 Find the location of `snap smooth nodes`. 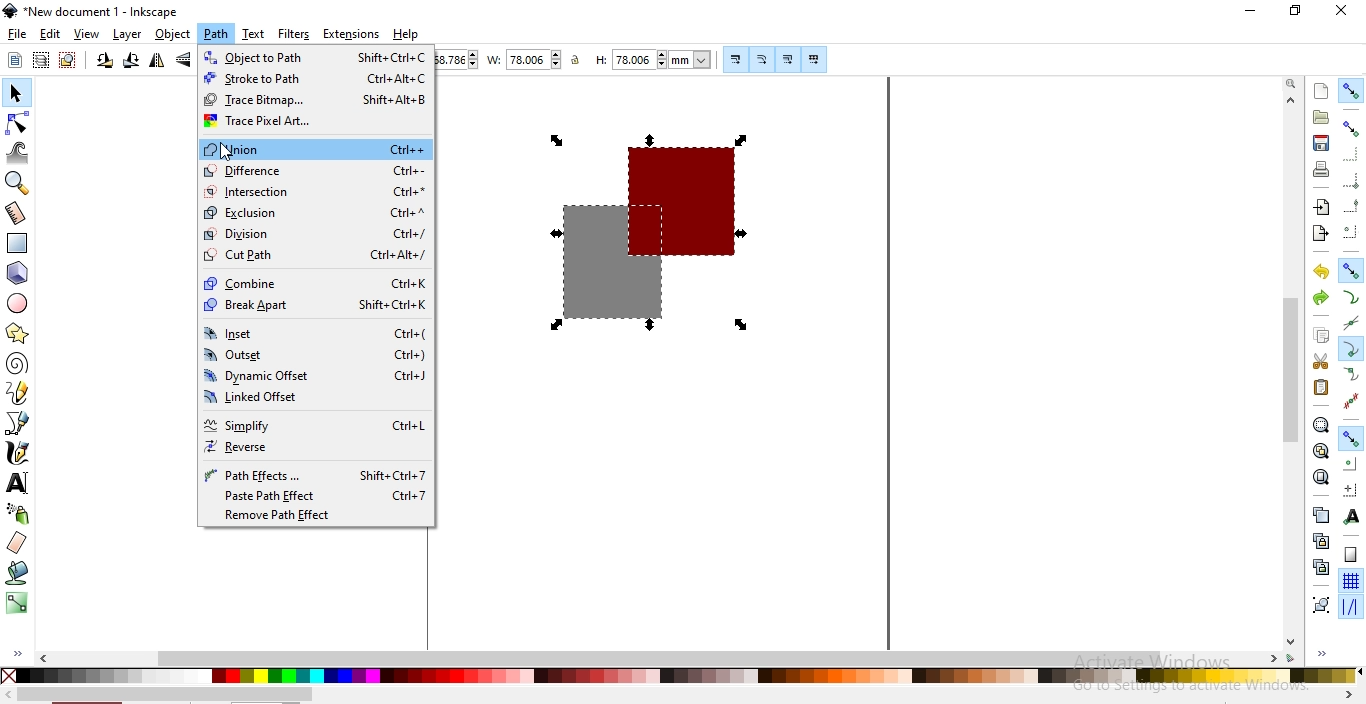

snap smooth nodes is located at coordinates (1352, 375).